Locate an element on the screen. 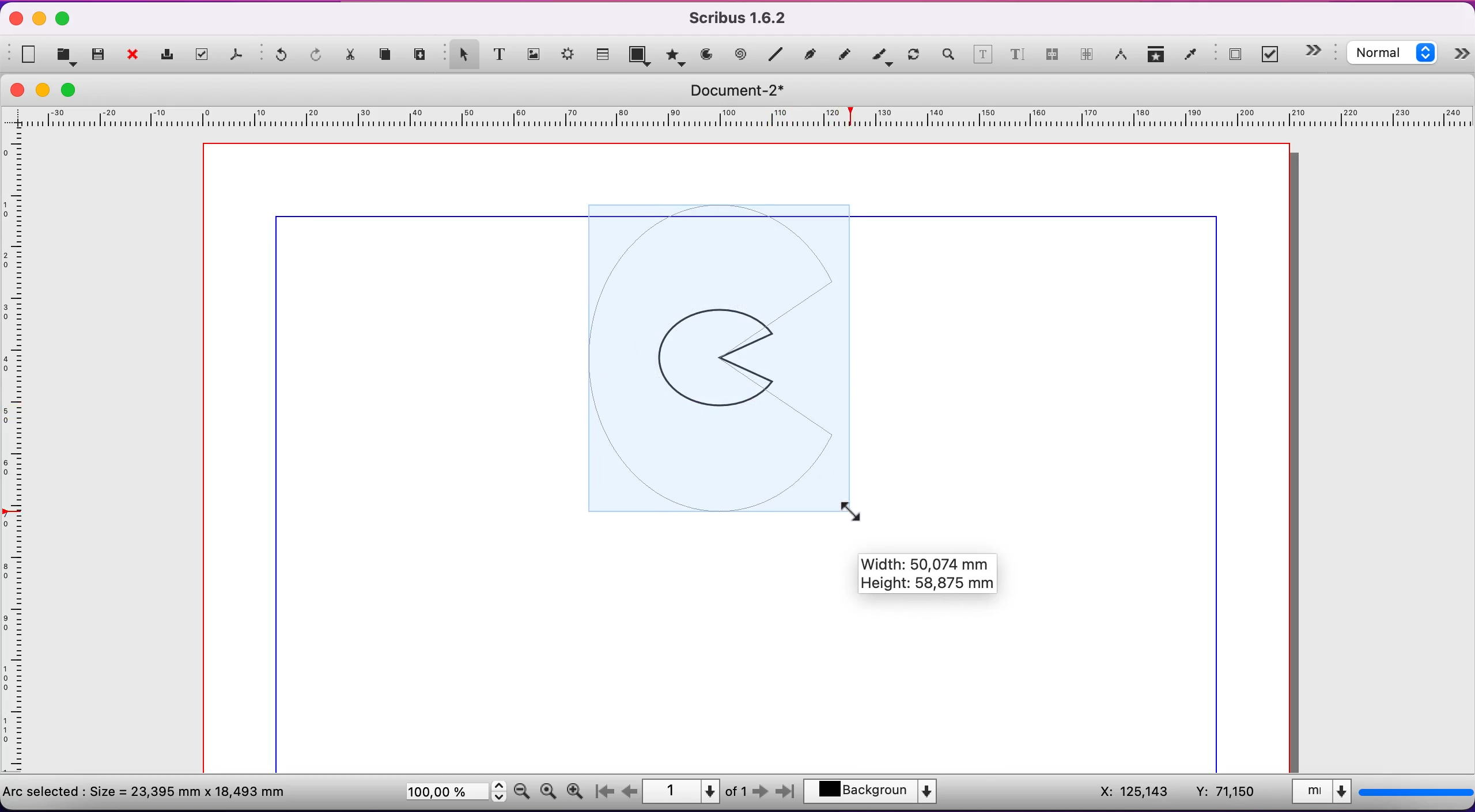 The width and height of the screenshot is (1475, 812). export as pdf is located at coordinates (239, 57).